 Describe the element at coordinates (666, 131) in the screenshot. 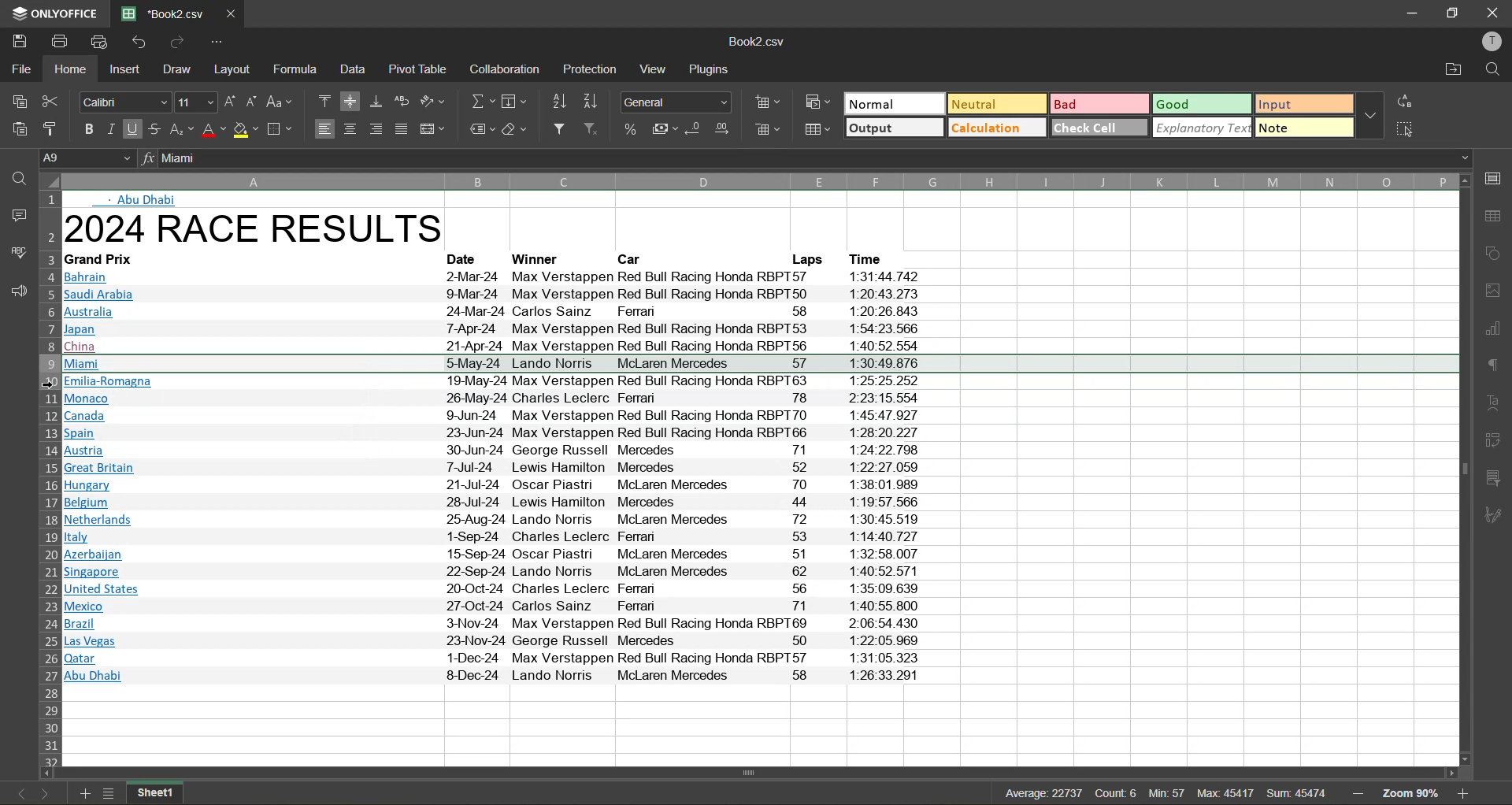

I see `accounting` at that location.